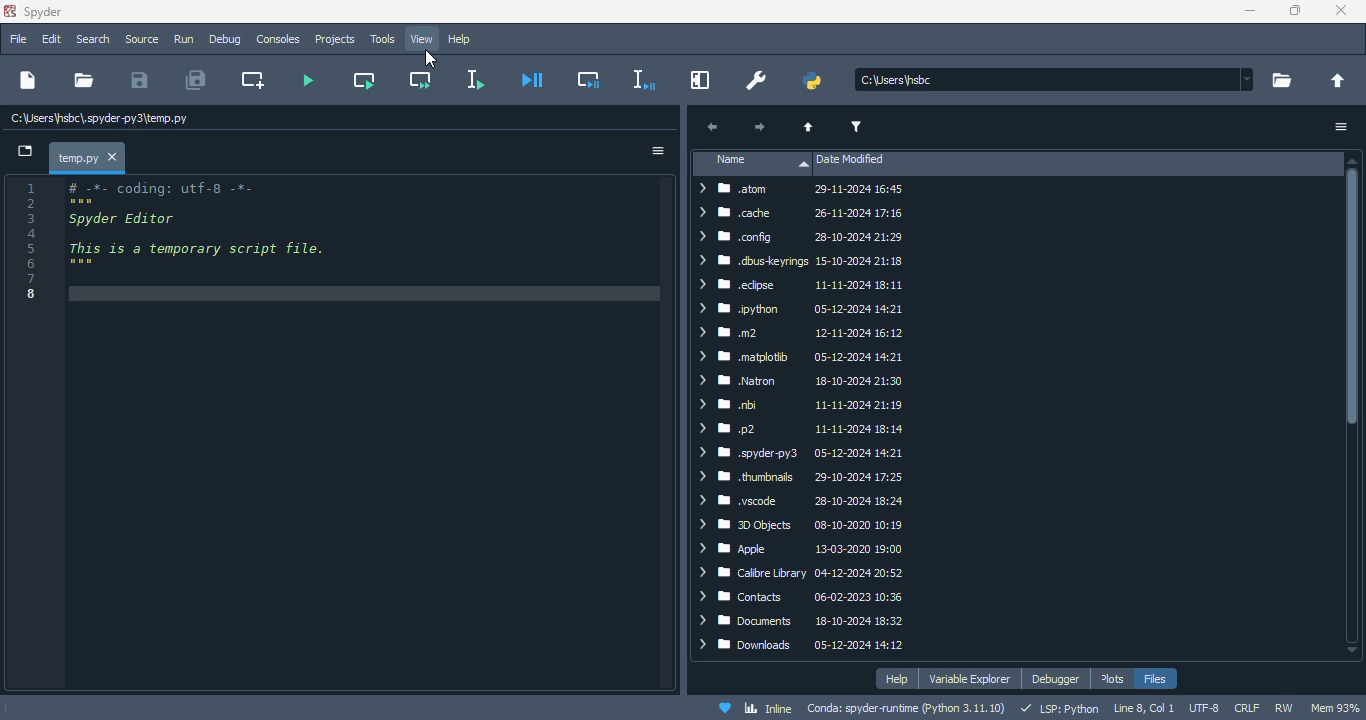 This screenshot has height=720, width=1366. I want to click on variable explorer, so click(970, 680).